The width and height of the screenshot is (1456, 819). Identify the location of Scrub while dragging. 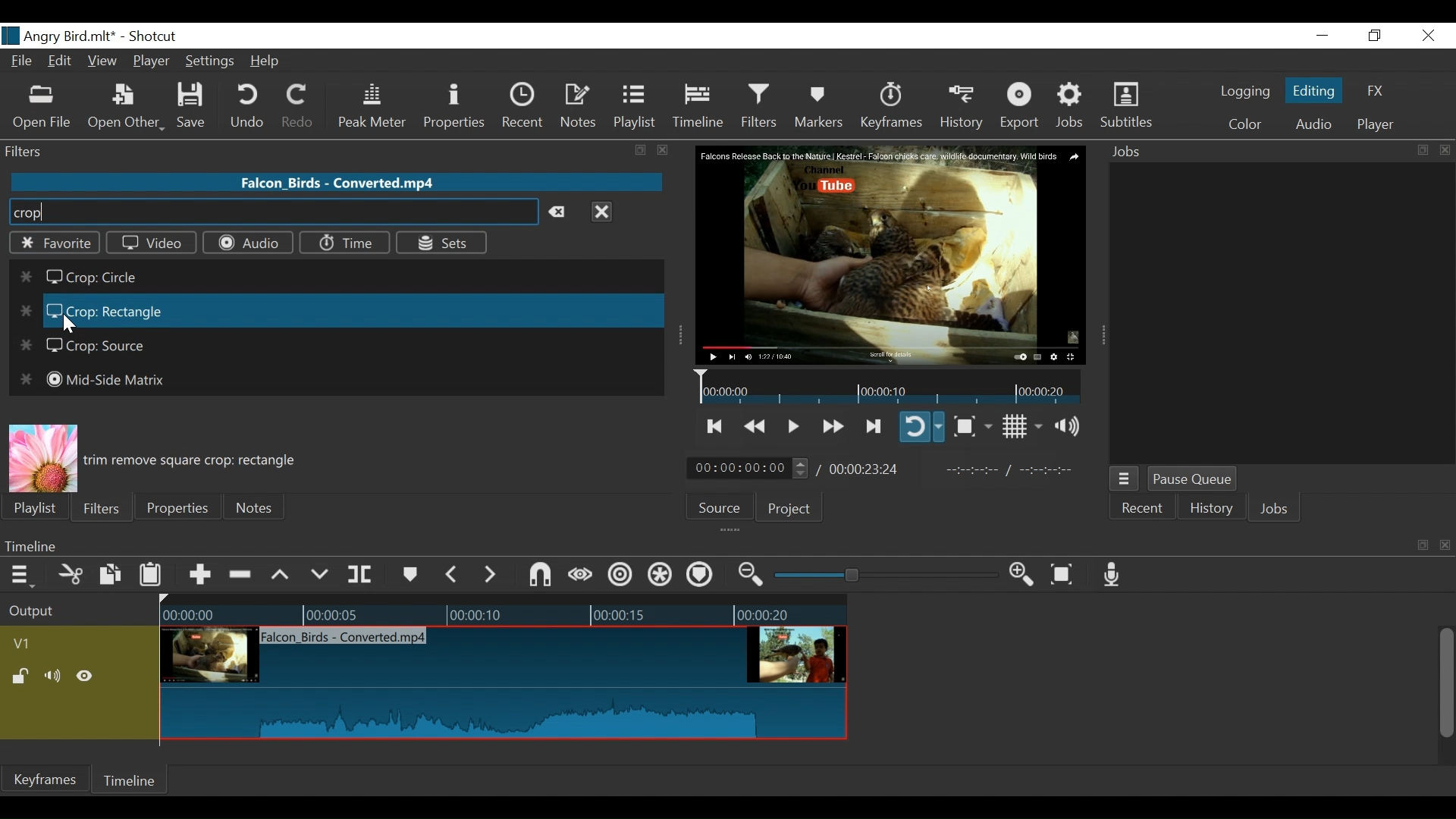
(583, 576).